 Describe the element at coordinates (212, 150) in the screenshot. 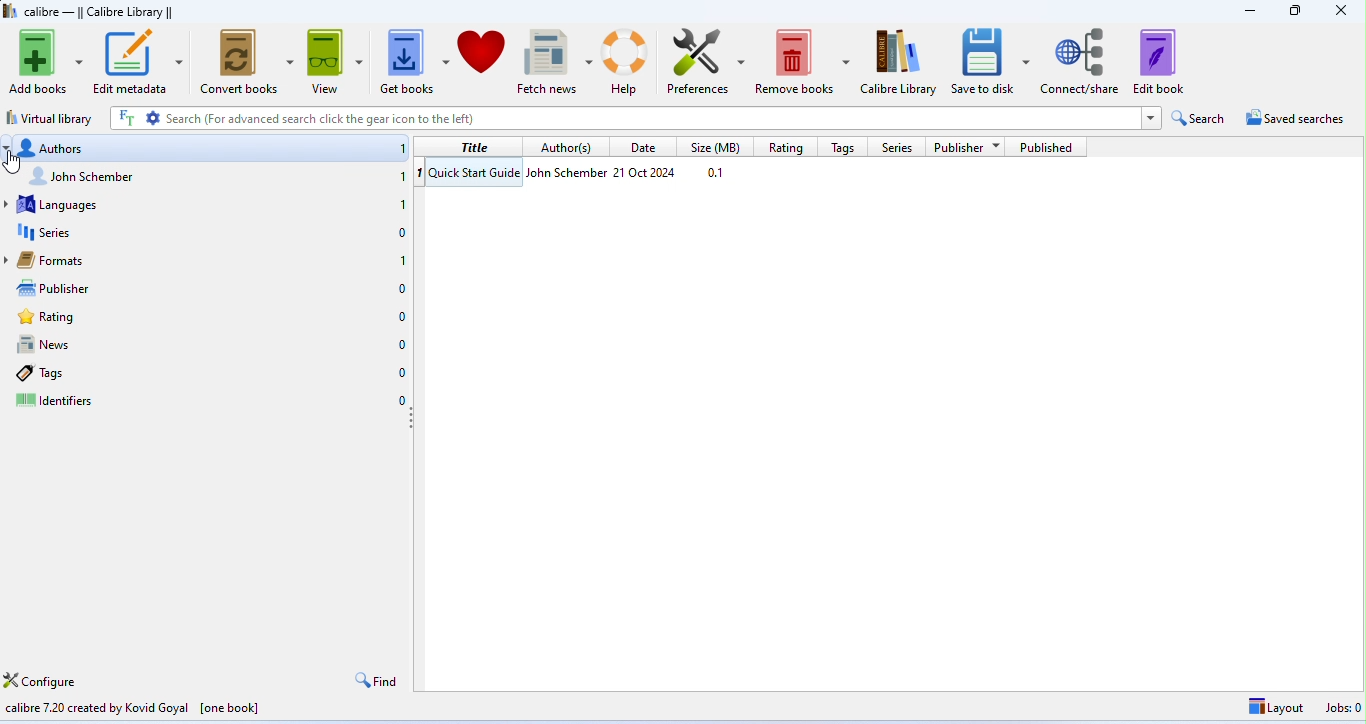

I see `authors` at that location.